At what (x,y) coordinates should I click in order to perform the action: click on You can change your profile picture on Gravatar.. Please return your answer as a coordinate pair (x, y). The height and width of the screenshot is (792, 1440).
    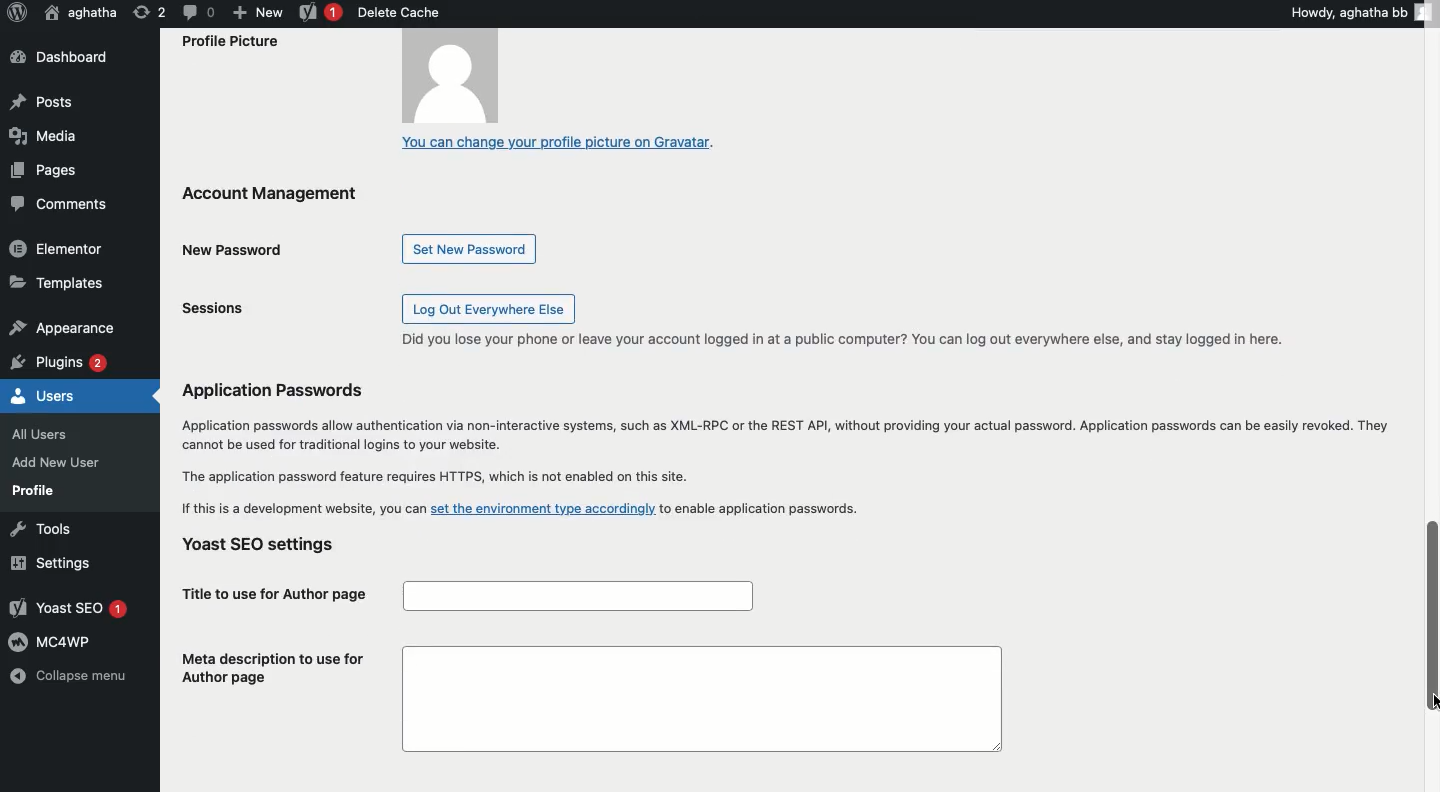
    Looking at the image, I should click on (558, 144).